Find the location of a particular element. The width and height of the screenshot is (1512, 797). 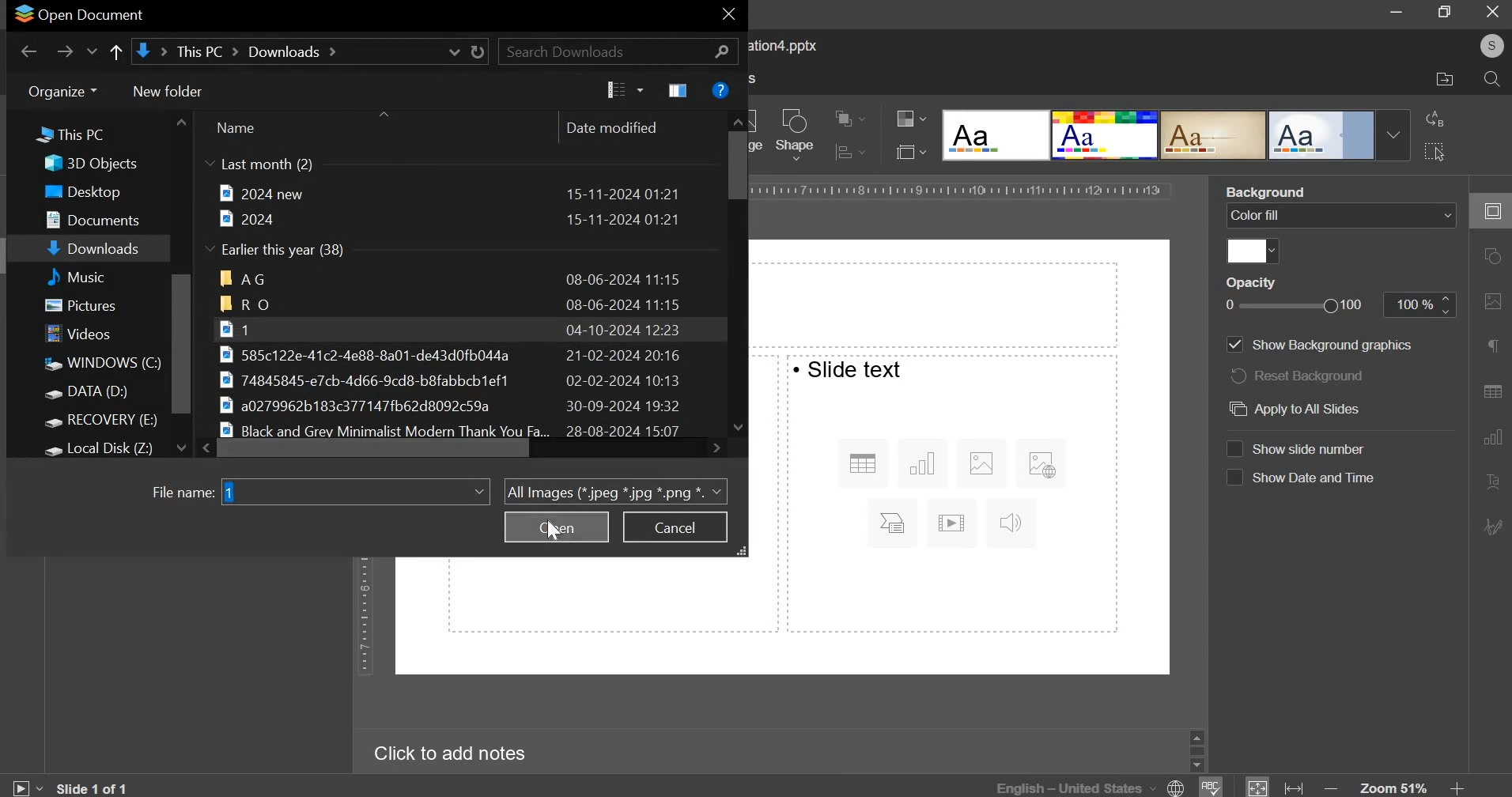

current slide number is located at coordinates (96, 788).